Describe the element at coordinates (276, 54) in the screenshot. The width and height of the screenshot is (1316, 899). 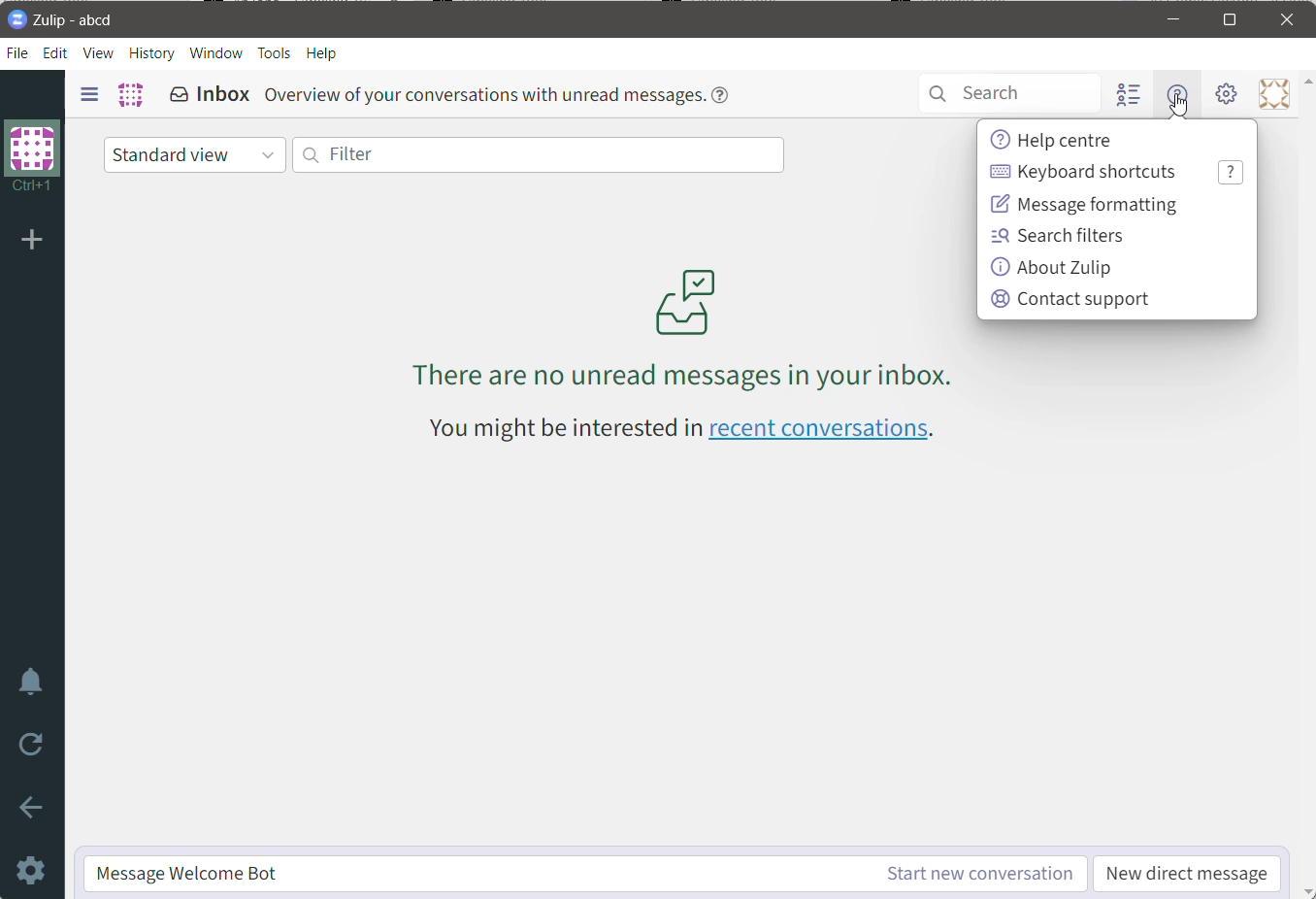
I see `Tools` at that location.